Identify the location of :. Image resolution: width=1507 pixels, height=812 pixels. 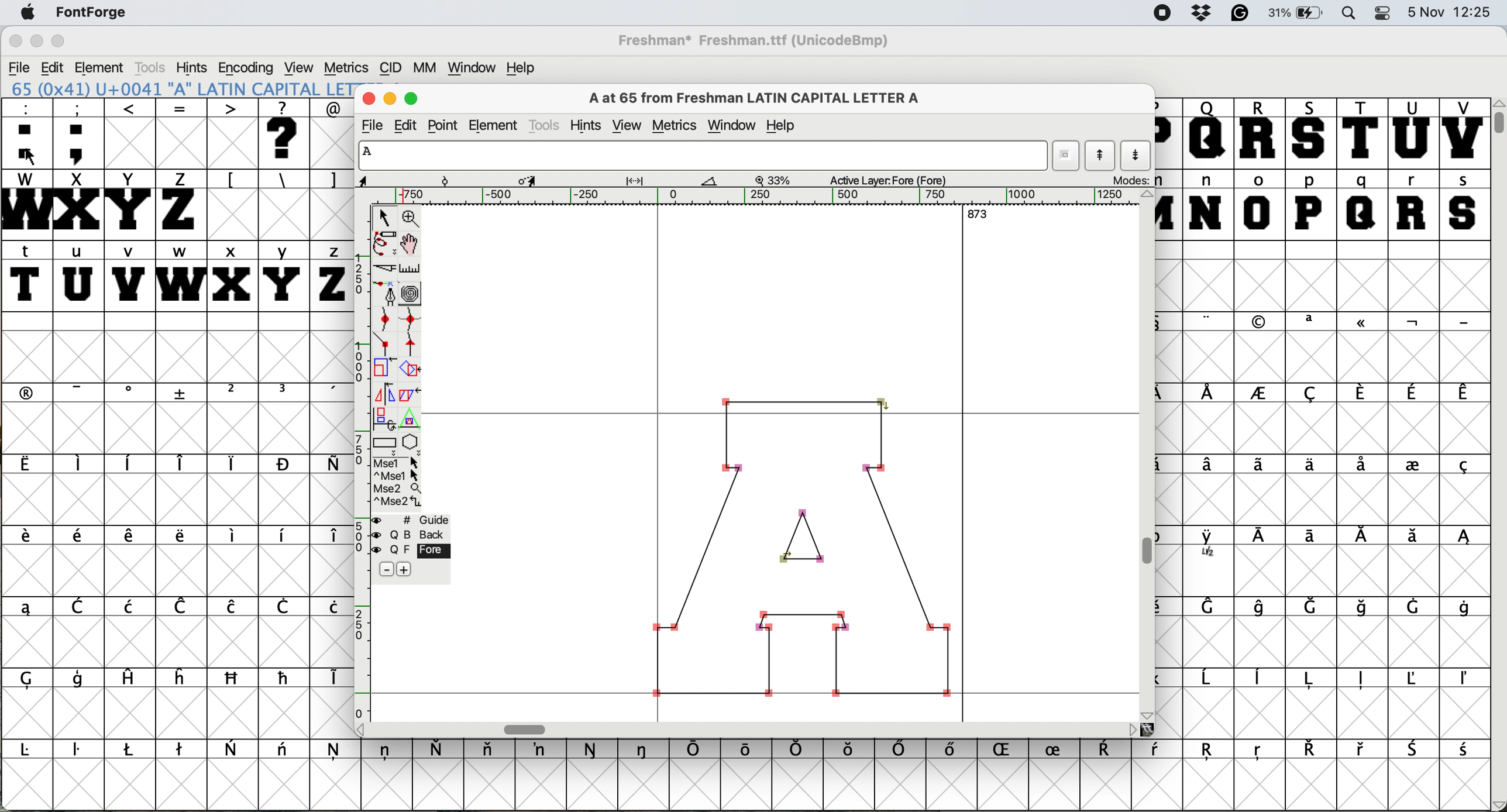
(25, 132).